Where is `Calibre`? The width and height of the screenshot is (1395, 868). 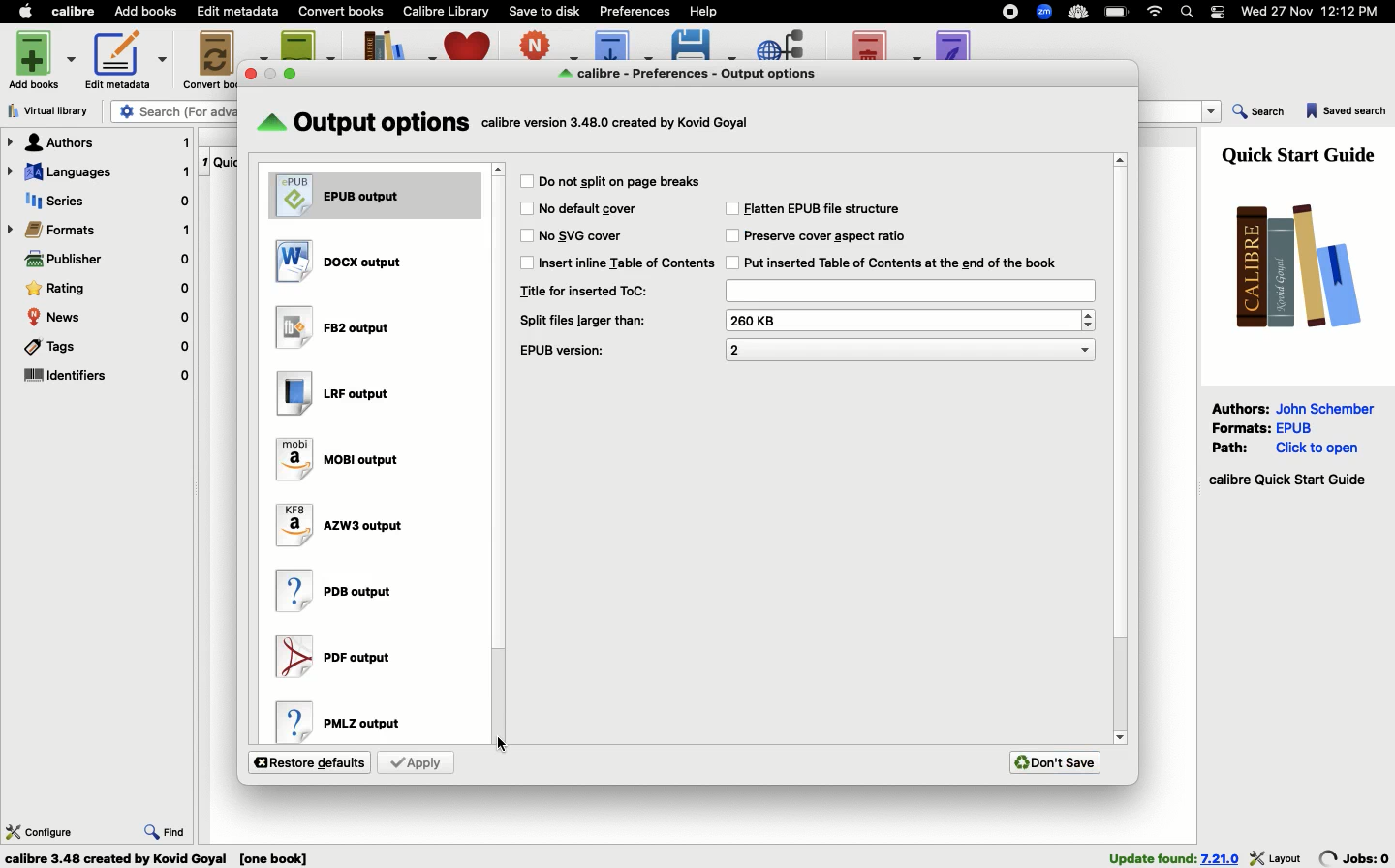 Calibre is located at coordinates (77, 11).